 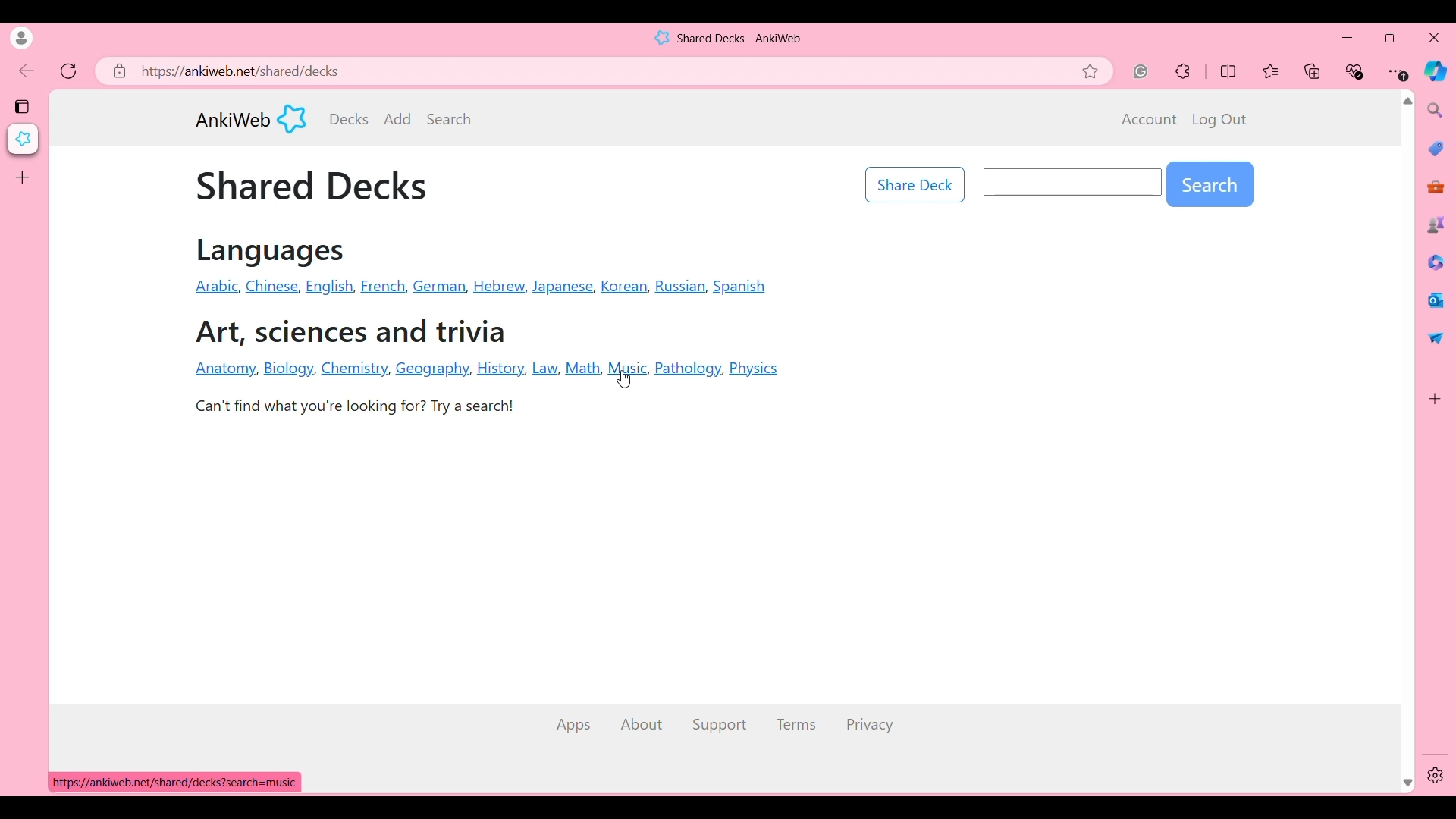 I want to click on , so click(x=625, y=368).